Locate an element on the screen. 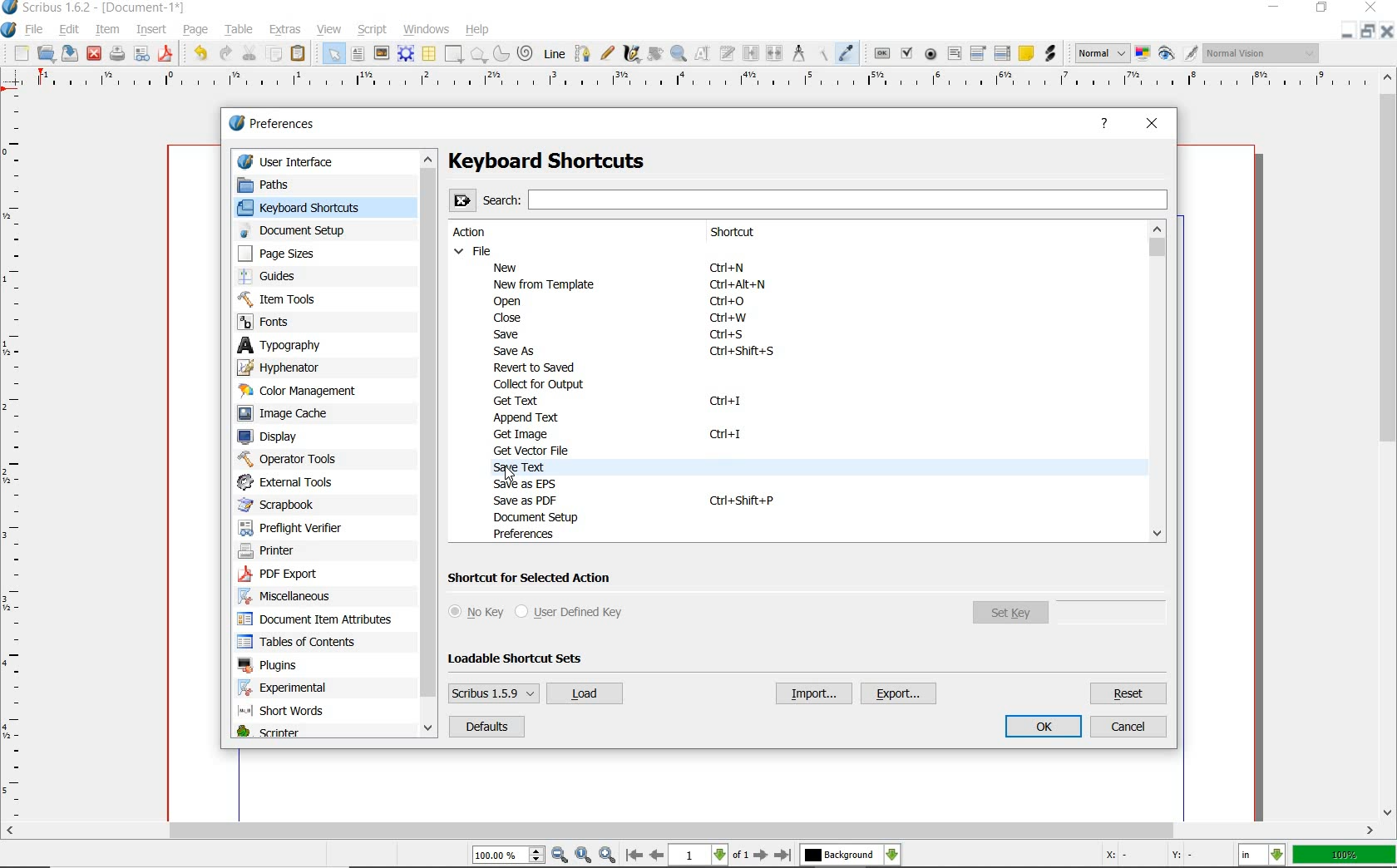 The image size is (1397, 868). keyboard shortcuts is located at coordinates (312, 207).